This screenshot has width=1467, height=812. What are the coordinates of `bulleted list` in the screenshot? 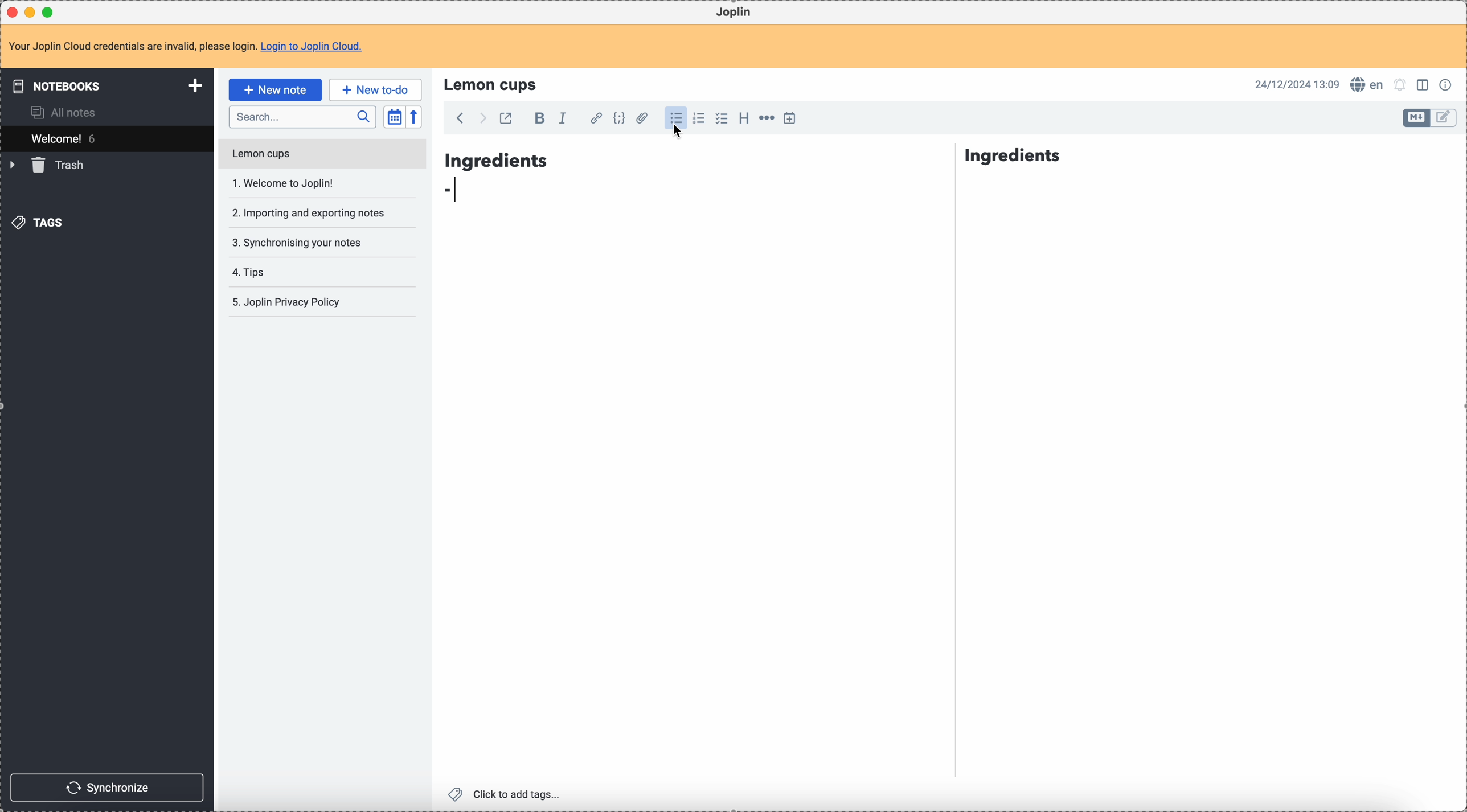 It's located at (674, 118).